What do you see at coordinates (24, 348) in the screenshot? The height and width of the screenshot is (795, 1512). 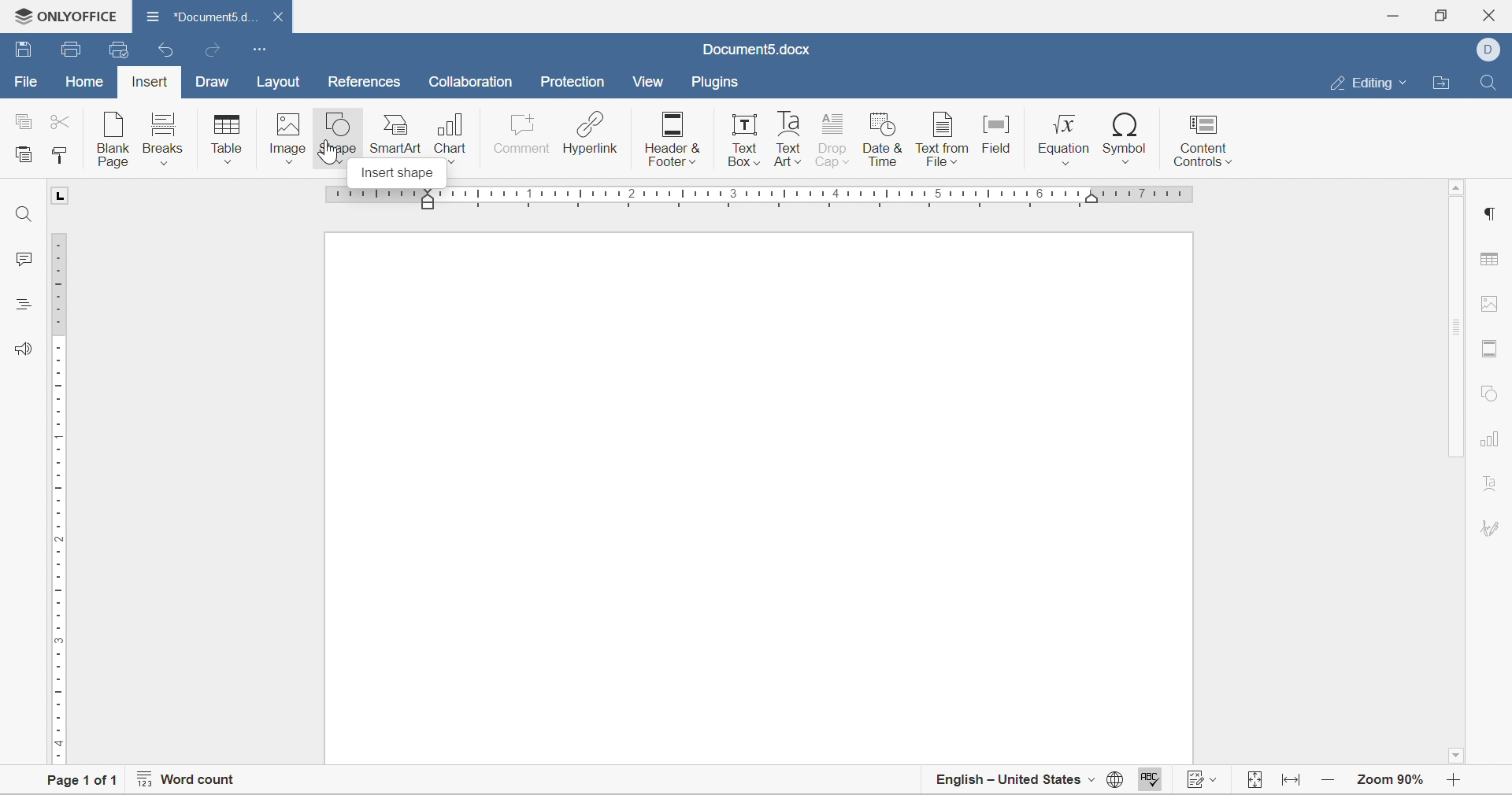 I see `feedback and support` at bounding box center [24, 348].